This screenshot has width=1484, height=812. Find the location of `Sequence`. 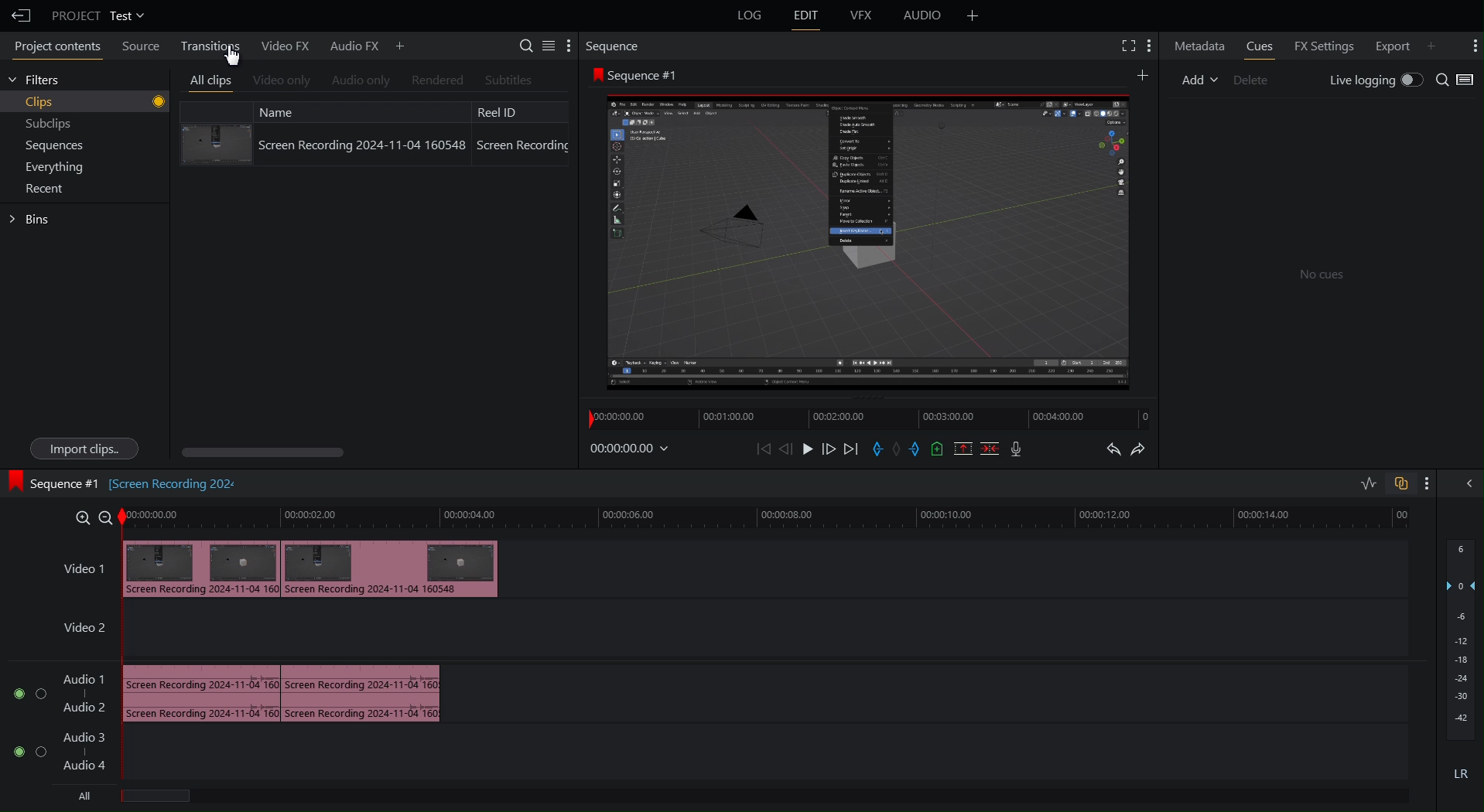

Sequence is located at coordinates (614, 46).